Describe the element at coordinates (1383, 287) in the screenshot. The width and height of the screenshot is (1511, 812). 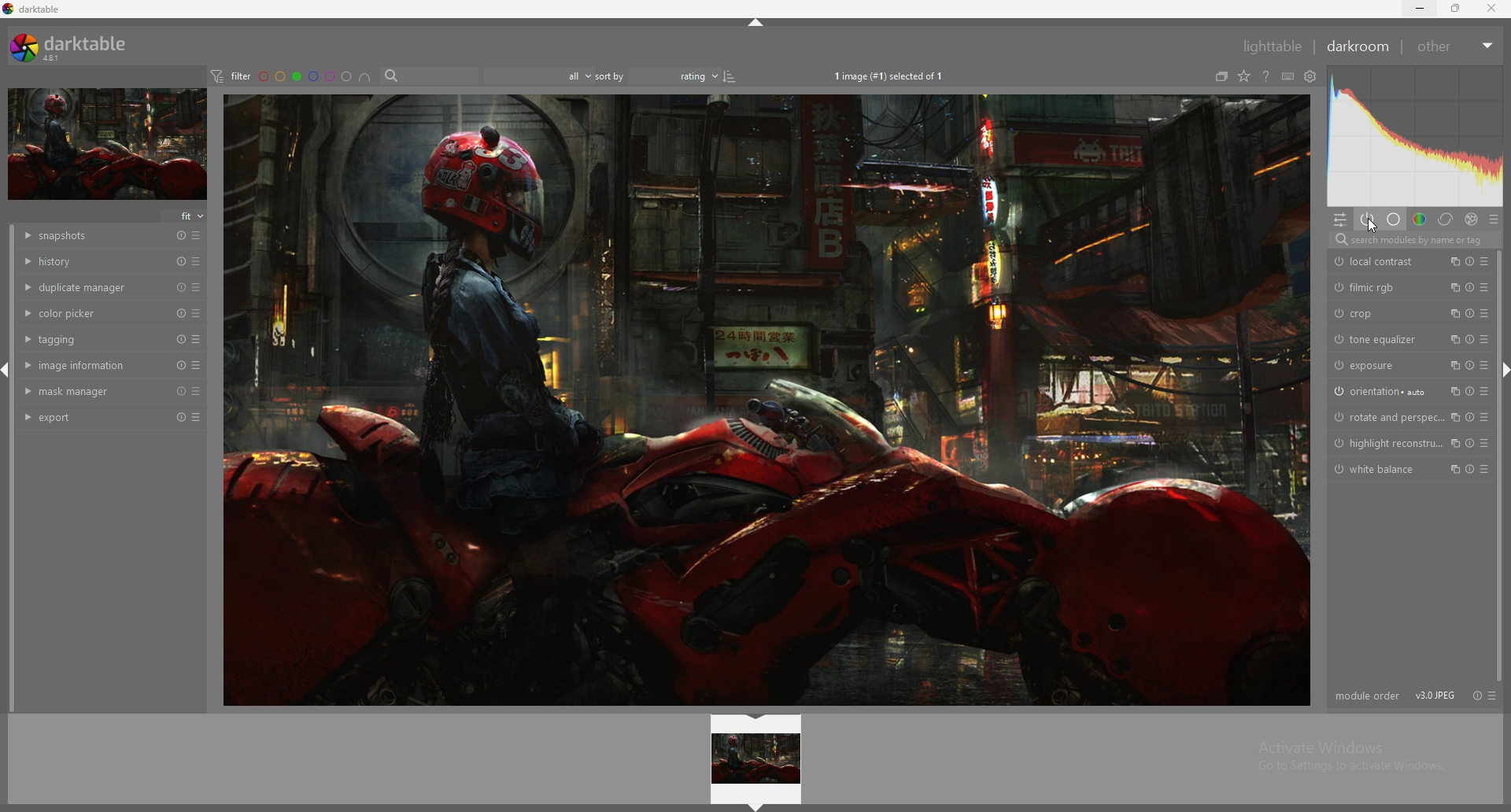
I see `filmic rgb` at that location.